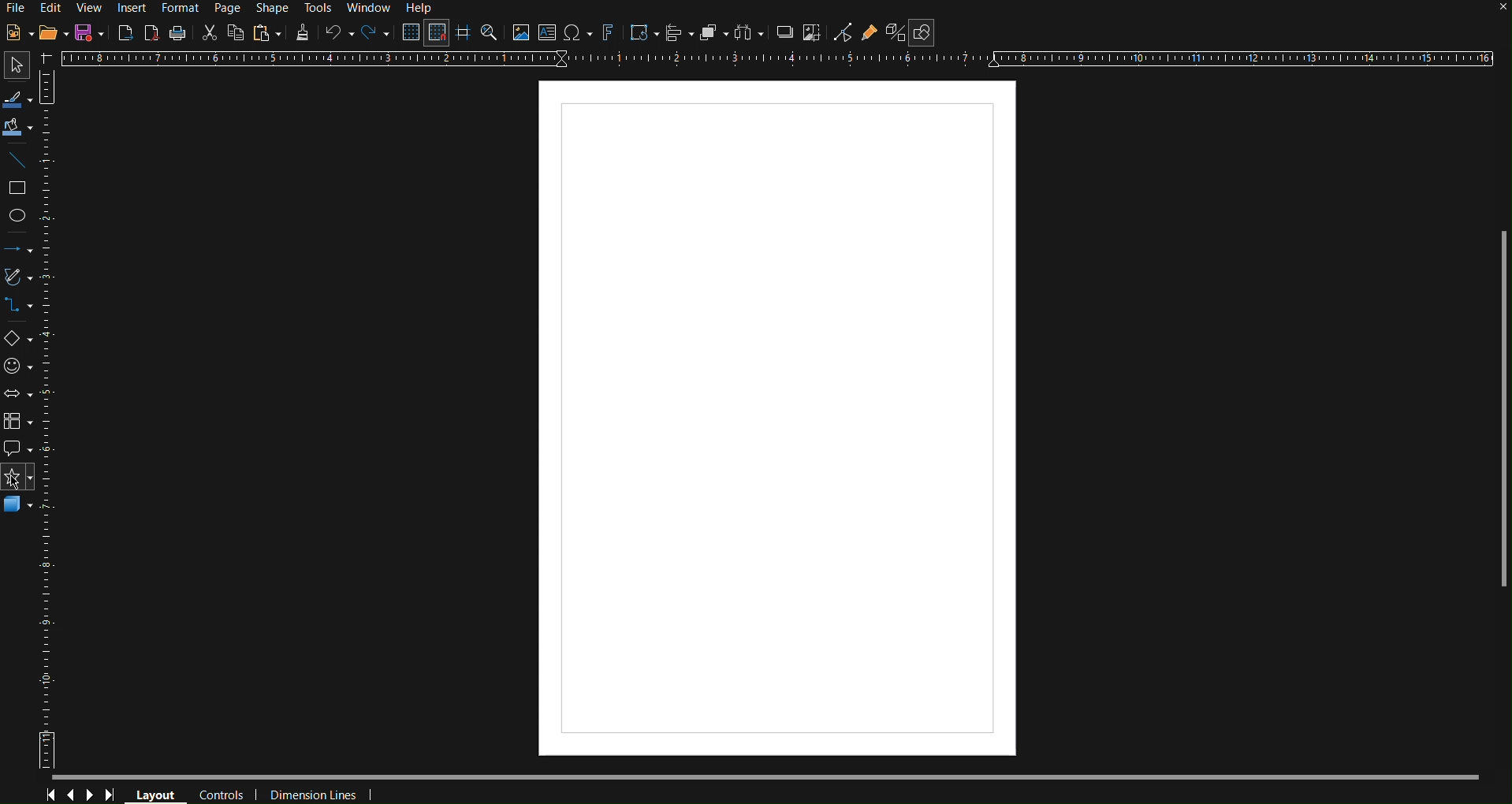 This screenshot has height=804, width=1512. Describe the element at coordinates (18, 7) in the screenshot. I see `File` at that location.